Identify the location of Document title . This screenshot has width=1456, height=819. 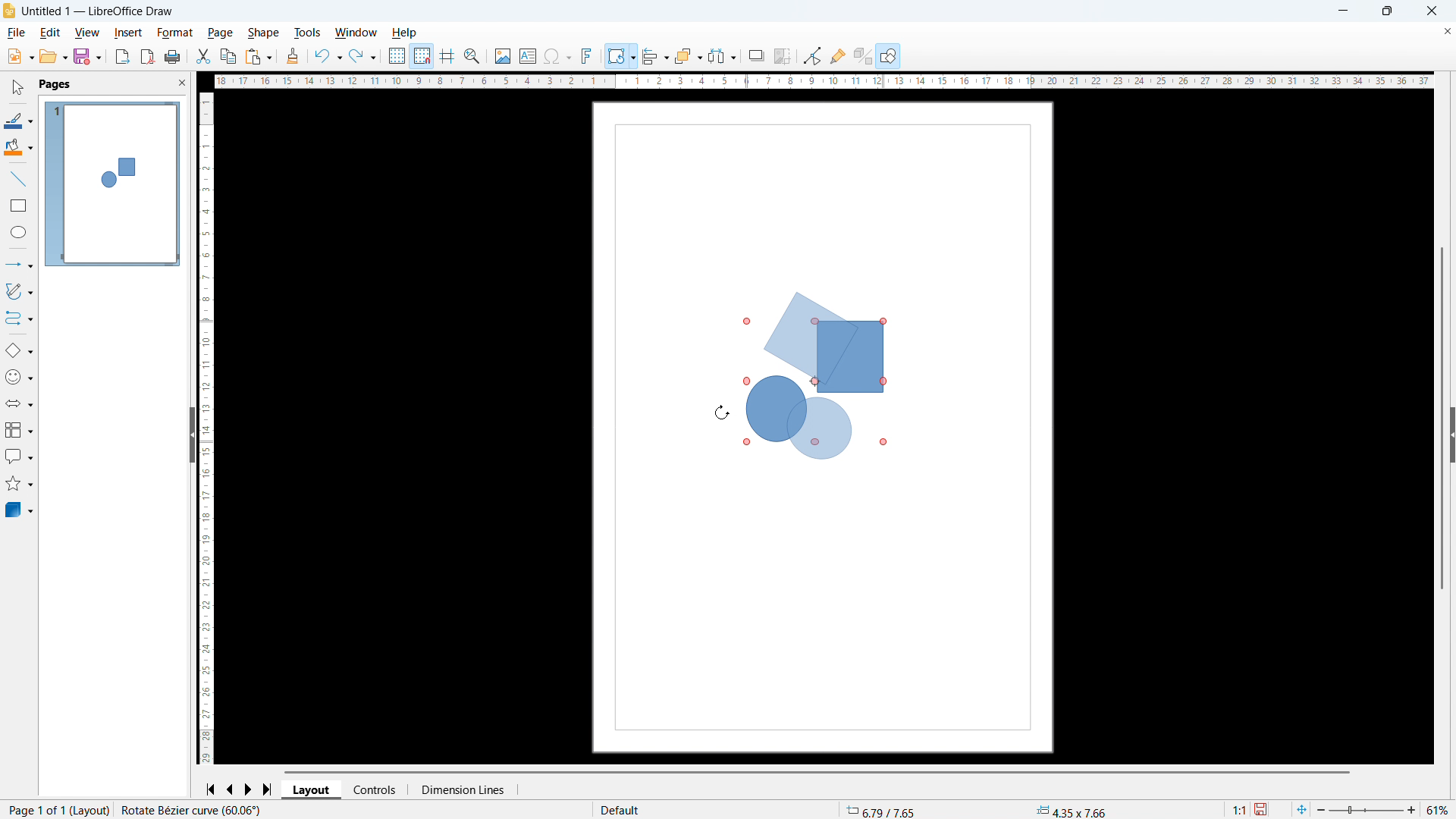
(98, 11).